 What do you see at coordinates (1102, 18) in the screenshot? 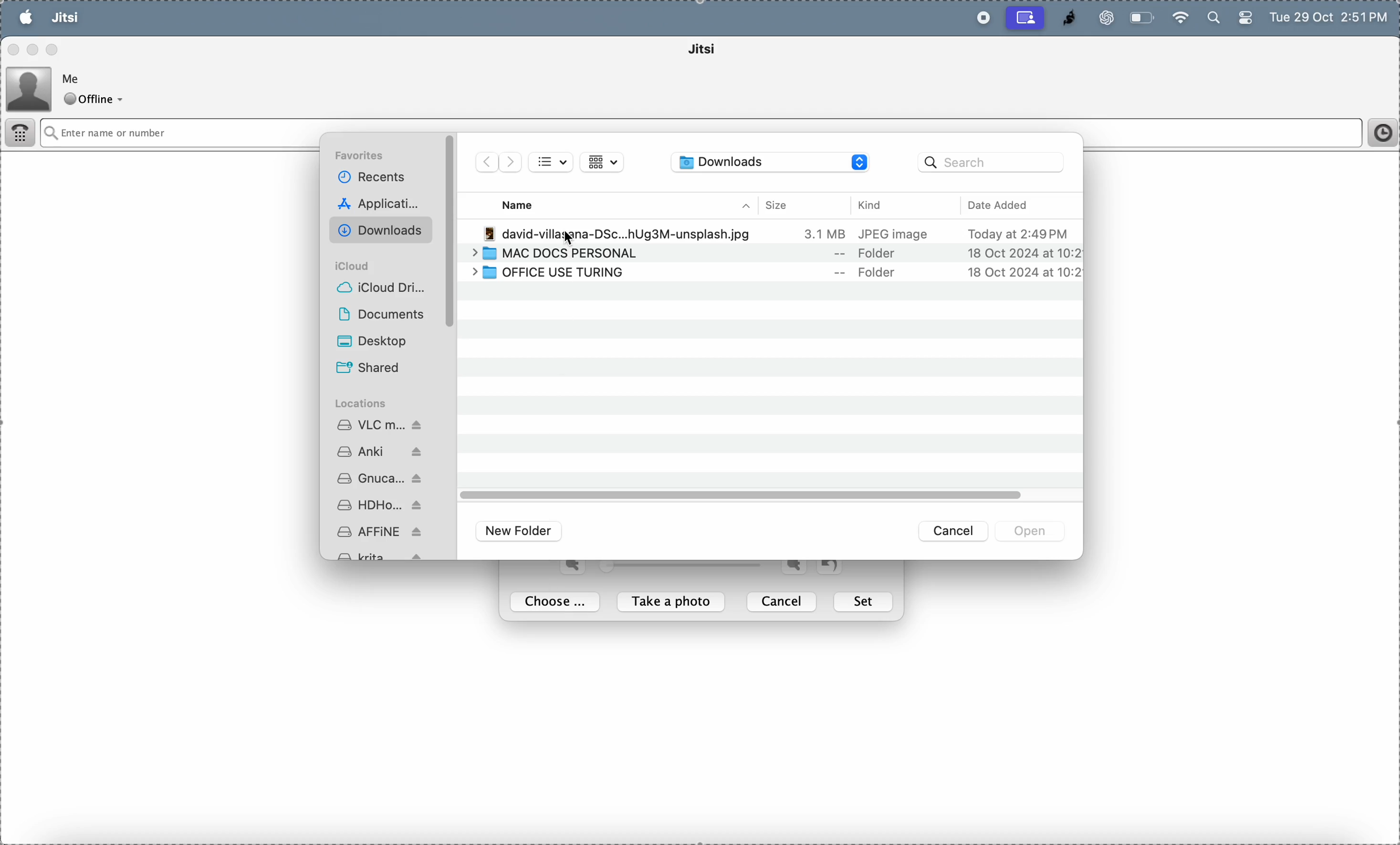
I see `chatgpt` at bounding box center [1102, 18].